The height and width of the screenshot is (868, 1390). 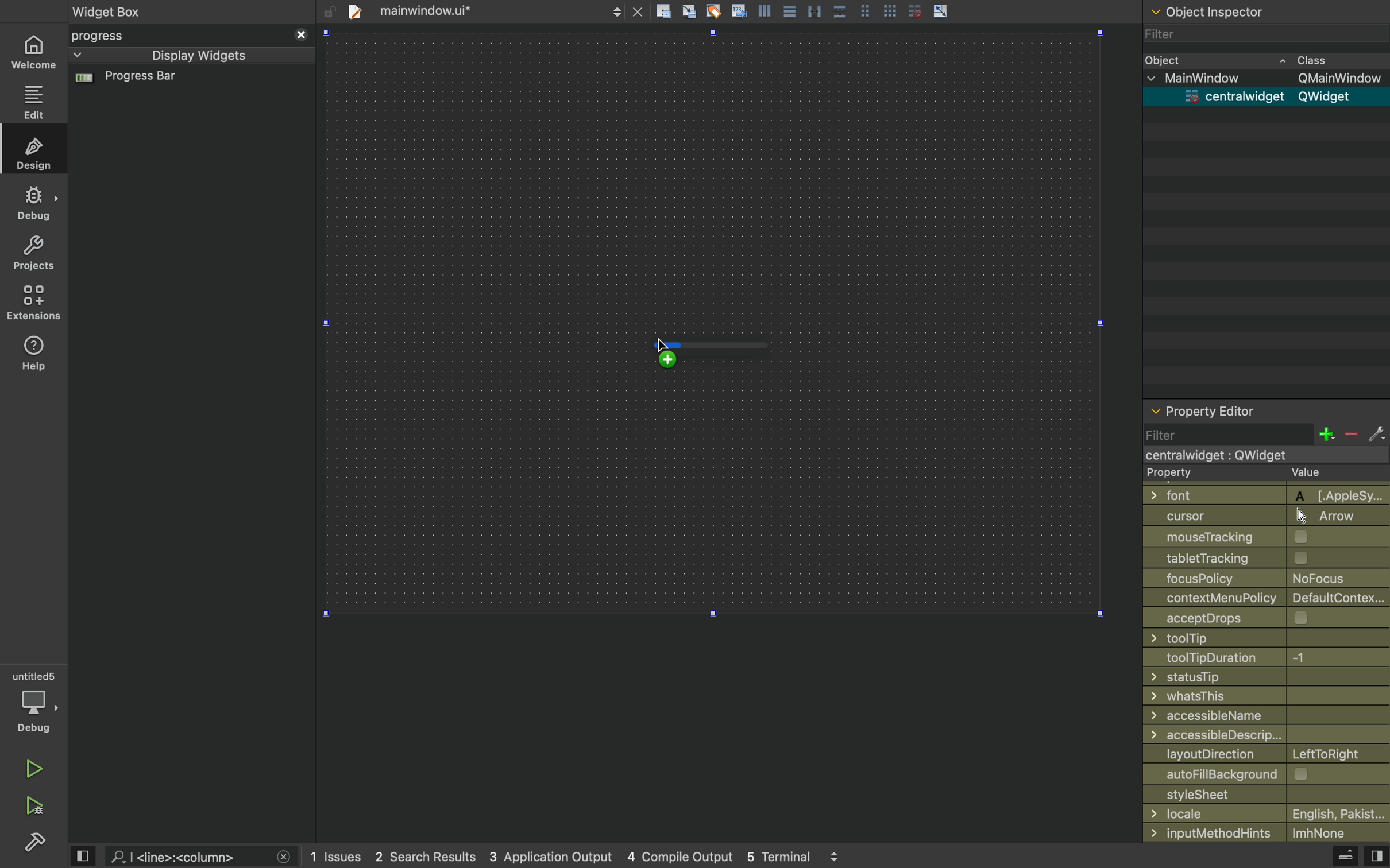 What do you see at coordinates (34, 841) in the screenshot?
I see `Settings ` at bounding box center [34, 841].